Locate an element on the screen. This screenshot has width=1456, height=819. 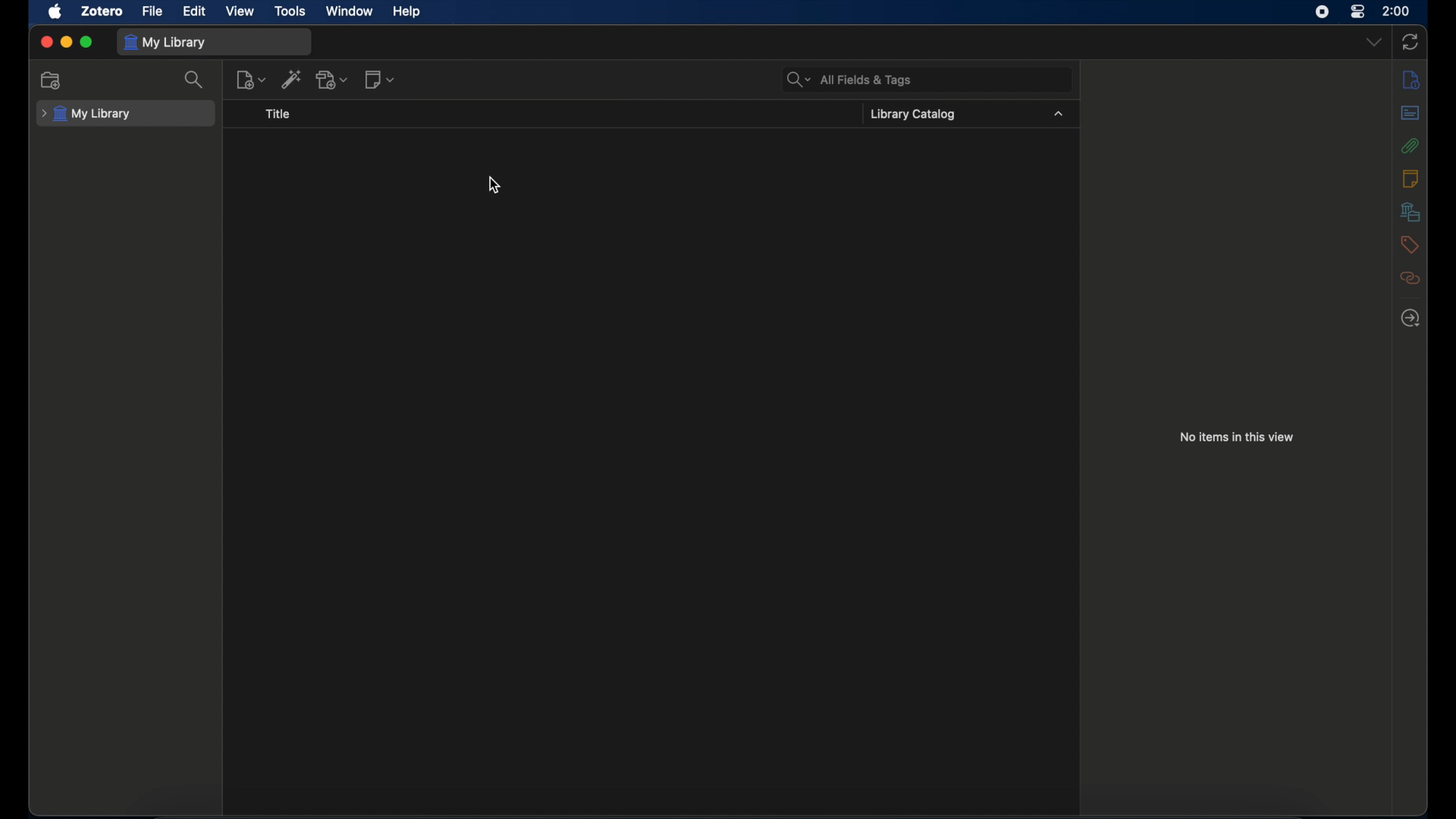
view is located at coordinates (242, 11).